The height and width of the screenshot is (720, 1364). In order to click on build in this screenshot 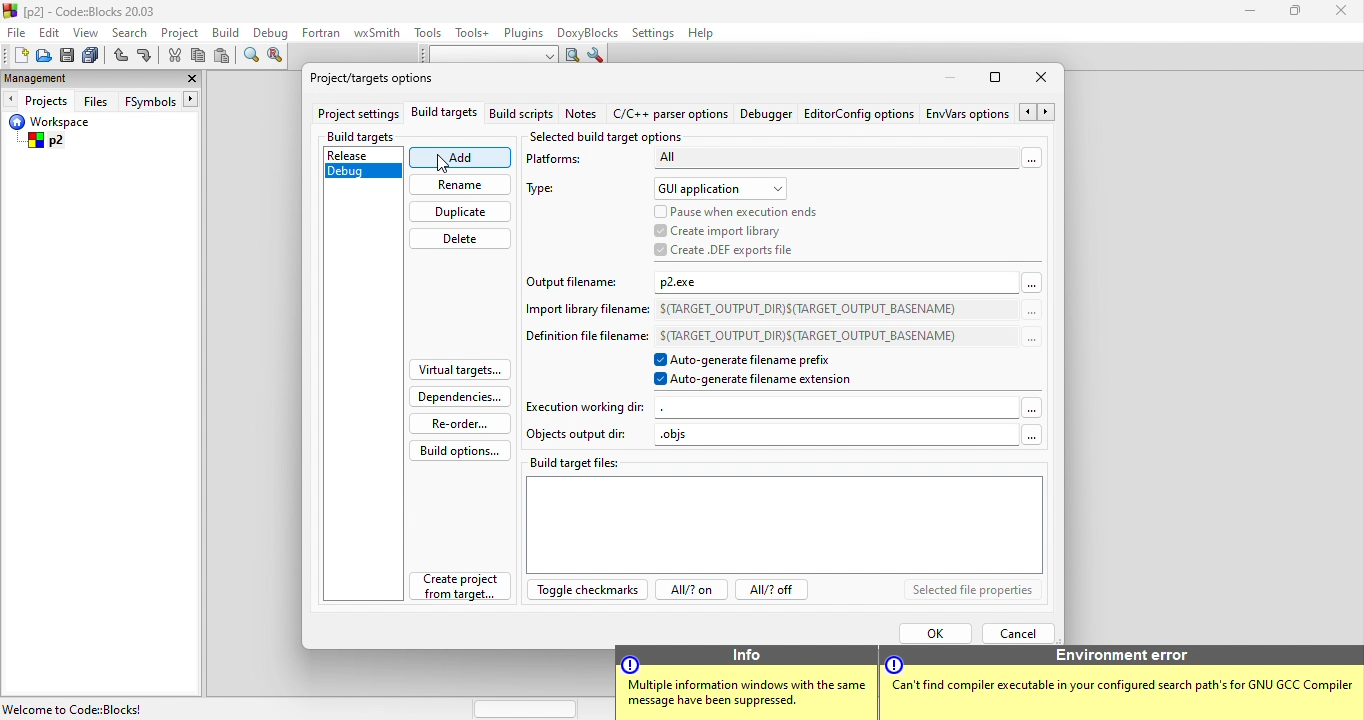, I will do `click(231, 34)`.